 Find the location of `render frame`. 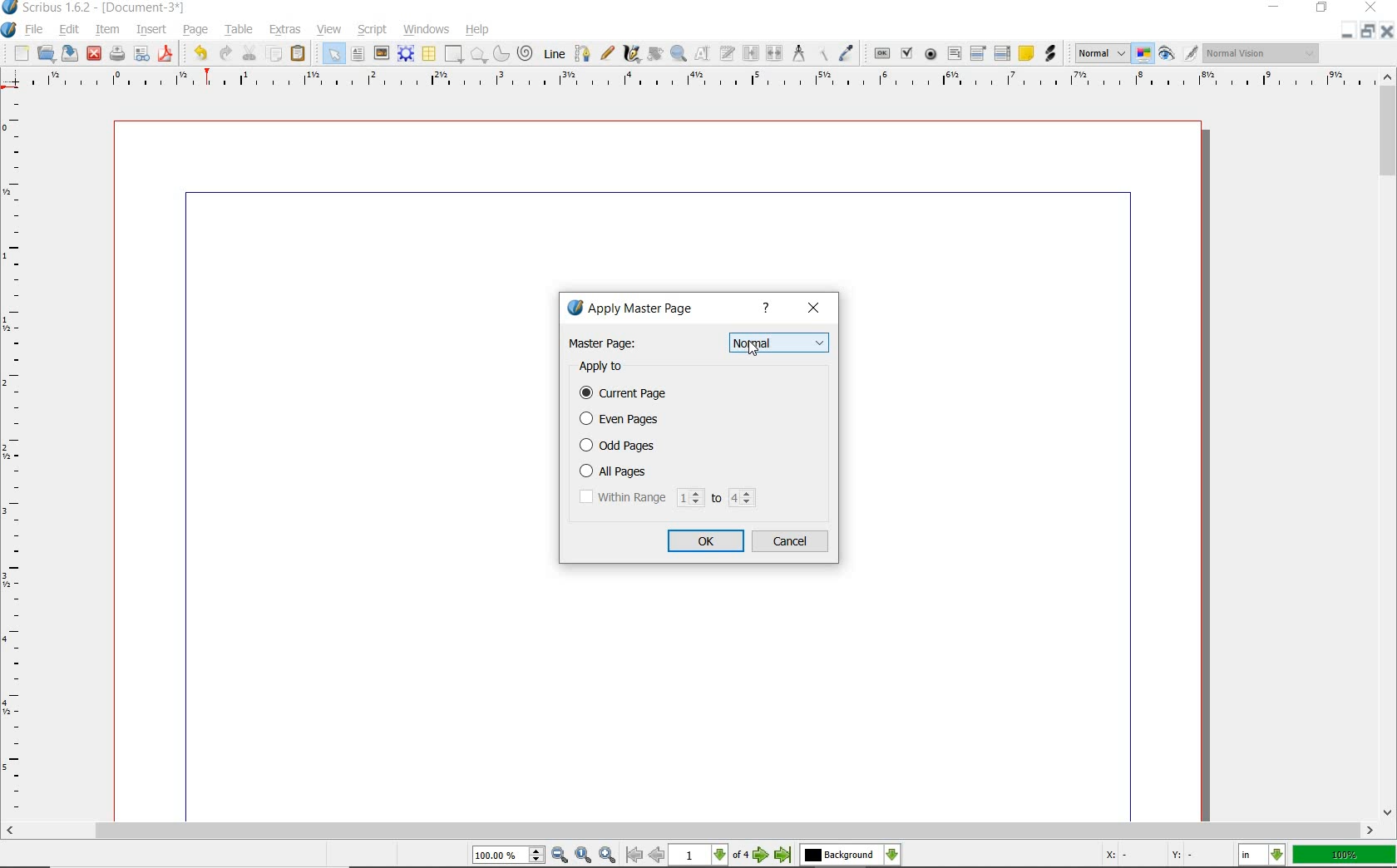

render frame is located at coordinates (405, 54).